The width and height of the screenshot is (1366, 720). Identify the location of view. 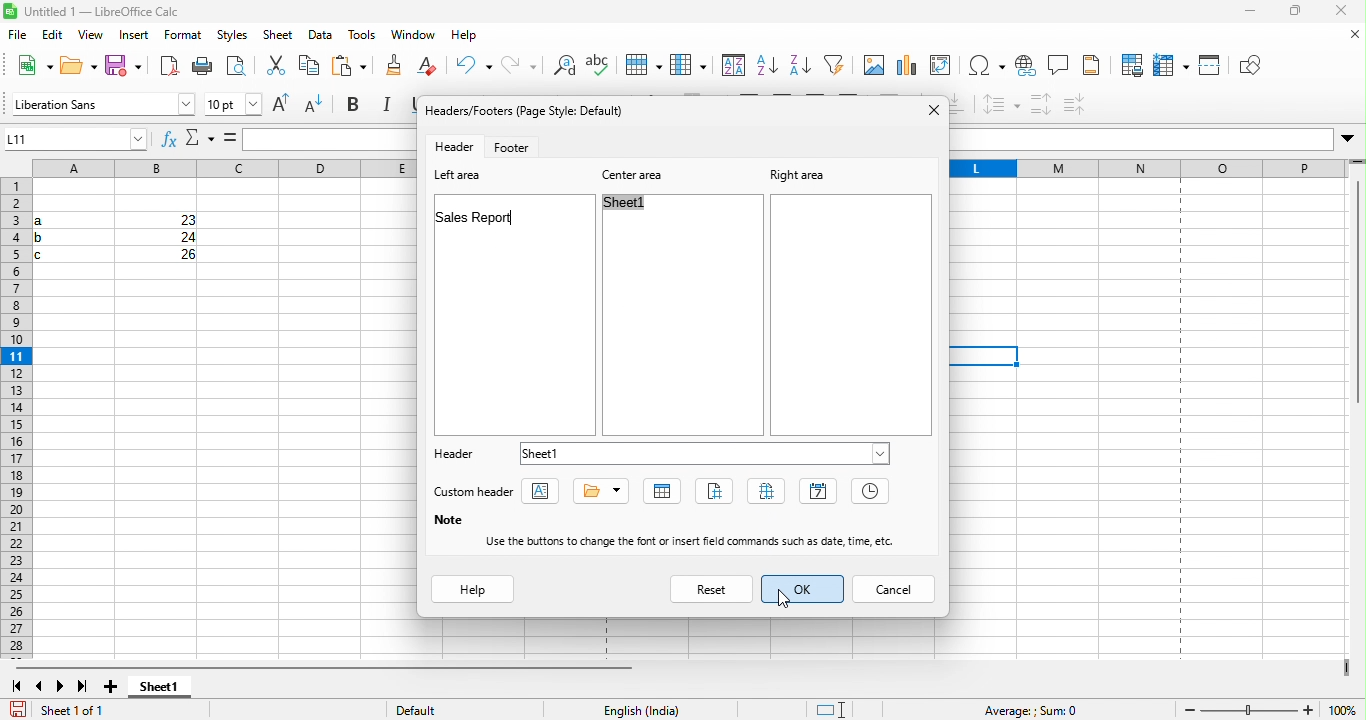
(92, 38).